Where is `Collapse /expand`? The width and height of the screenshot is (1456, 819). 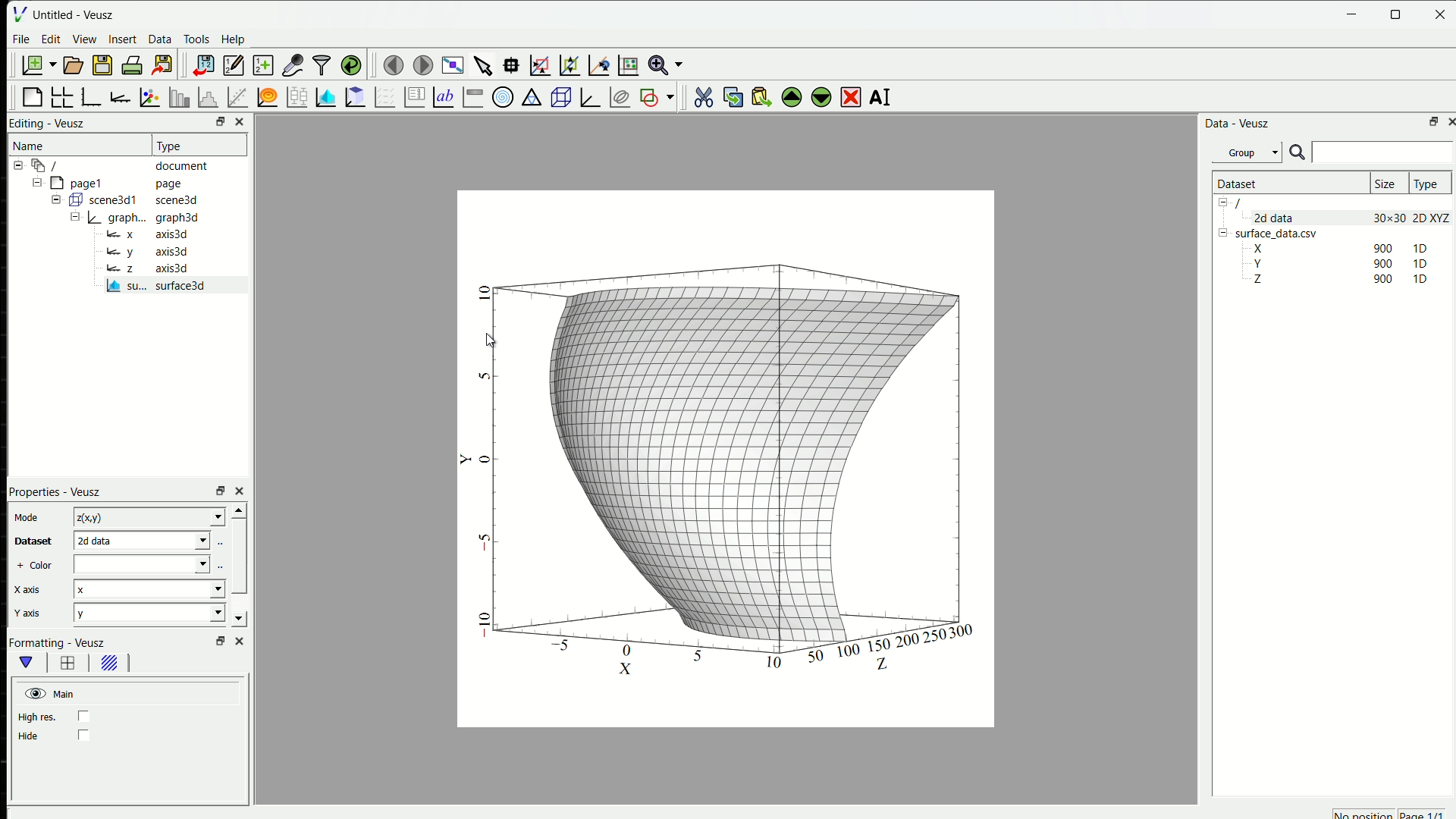
Collapse /expand is located at coordinates (20, 165).